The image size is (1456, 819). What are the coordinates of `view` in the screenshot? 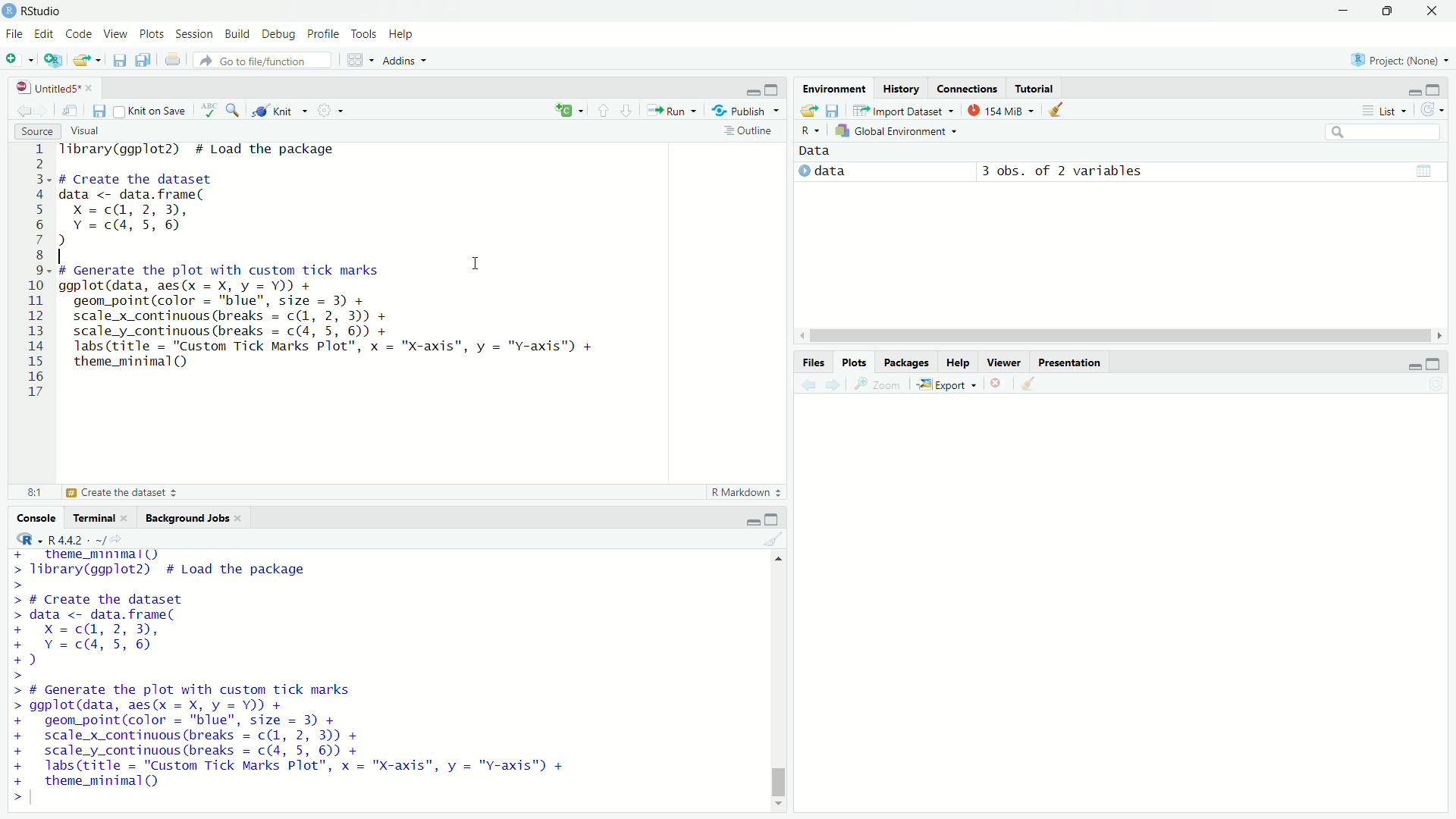 It's located at (115, 35).